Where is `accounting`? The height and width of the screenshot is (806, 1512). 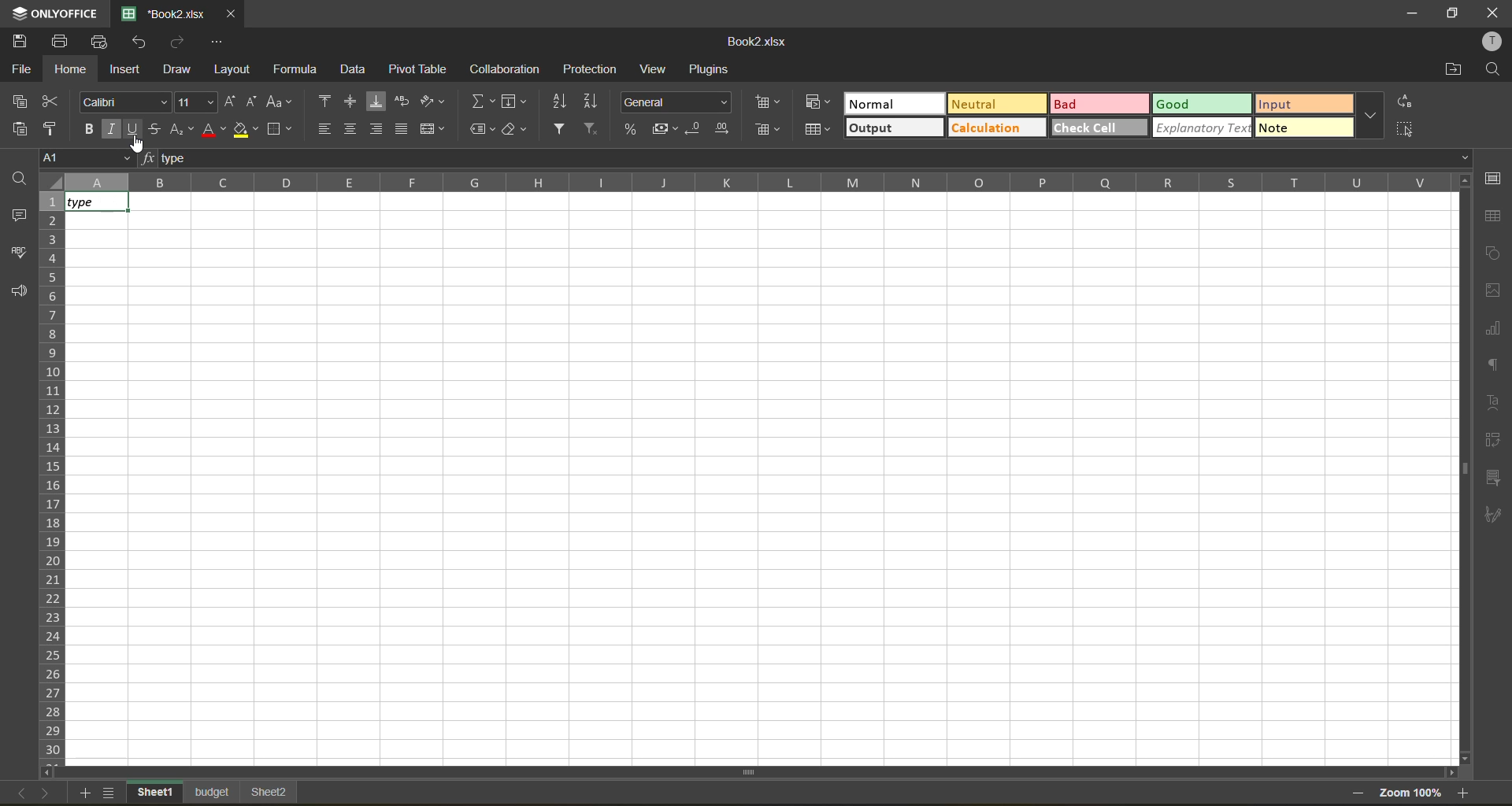
accounting is located at coordinates (667, 129).